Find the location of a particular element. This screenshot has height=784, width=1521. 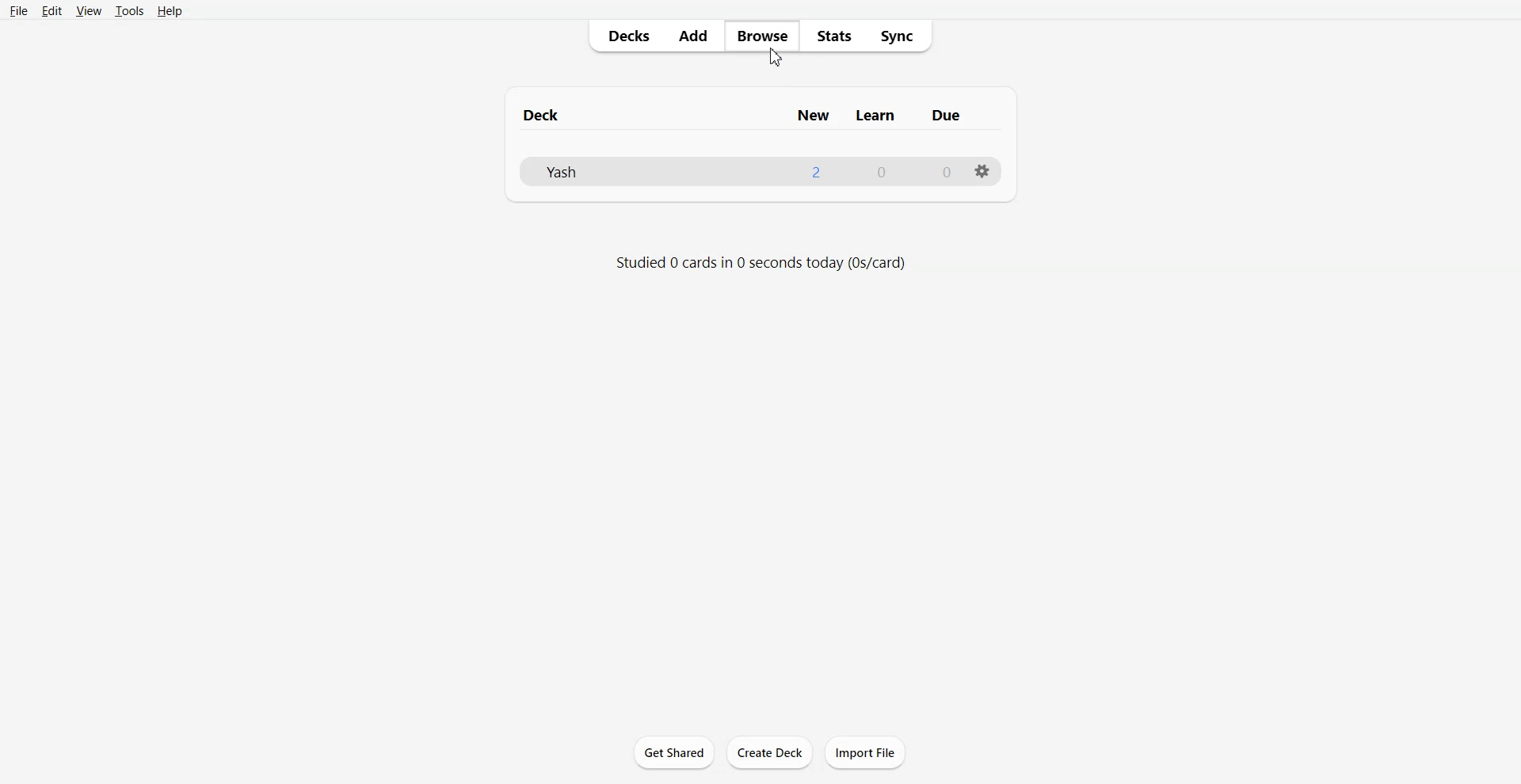

Create Deck is located at coordinates (770, 753).